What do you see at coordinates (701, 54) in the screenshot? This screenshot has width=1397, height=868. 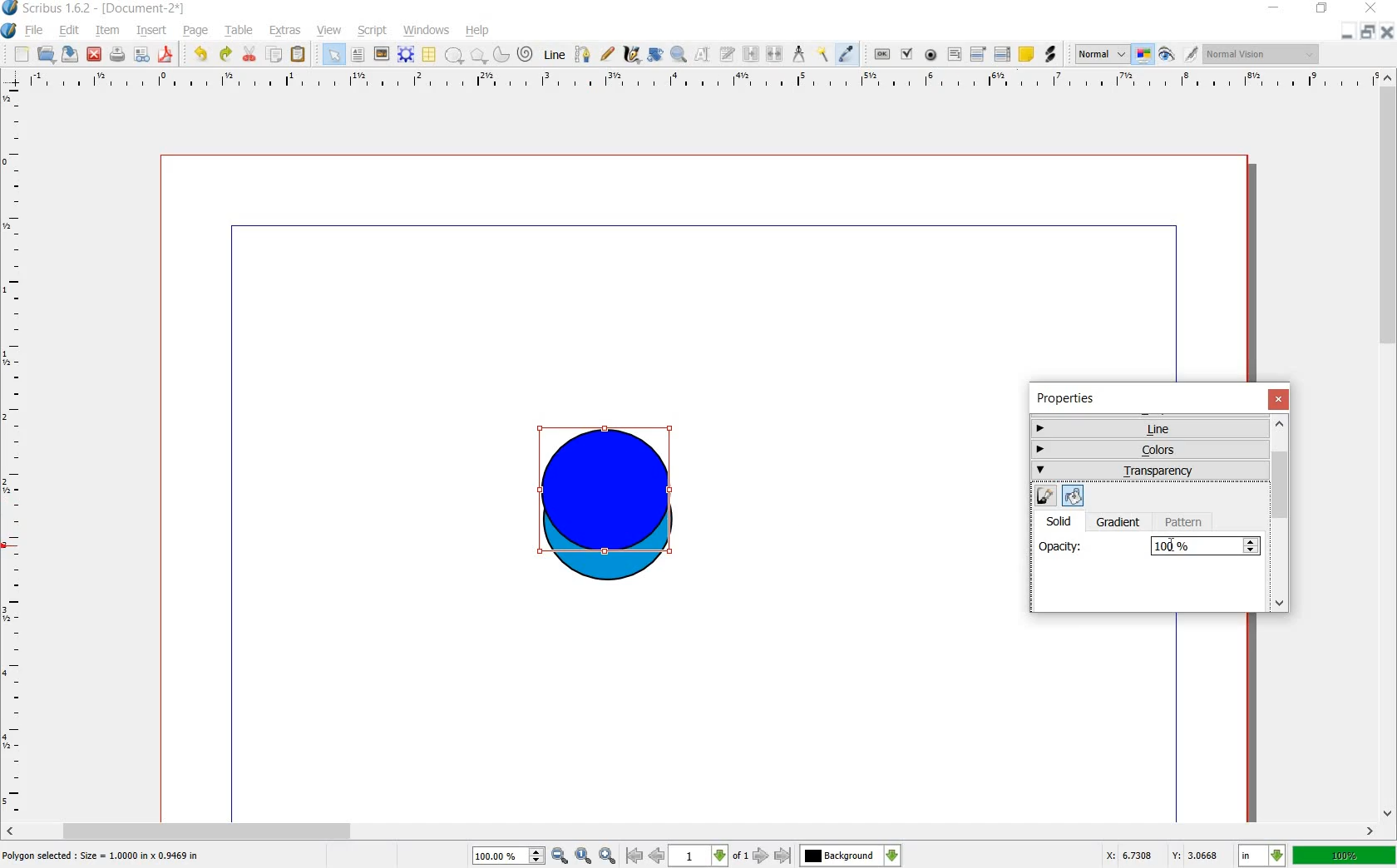 I see `edit contents of frame` at bounding box center [701, 54].